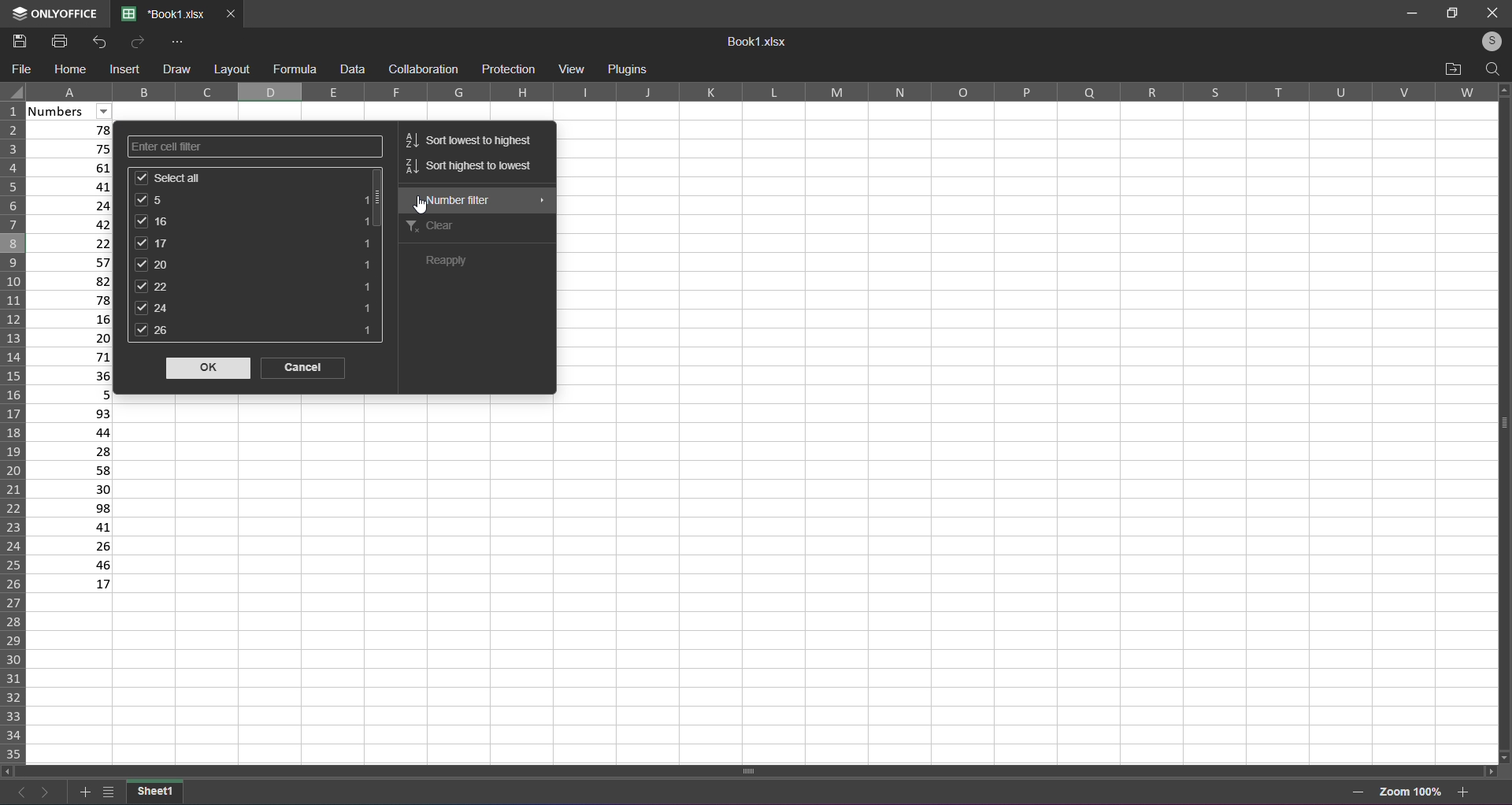 This screenshot has height=805, width=1512. Describe the element at coordinates (74, 357) in the screenshot. I see `71` at that location.